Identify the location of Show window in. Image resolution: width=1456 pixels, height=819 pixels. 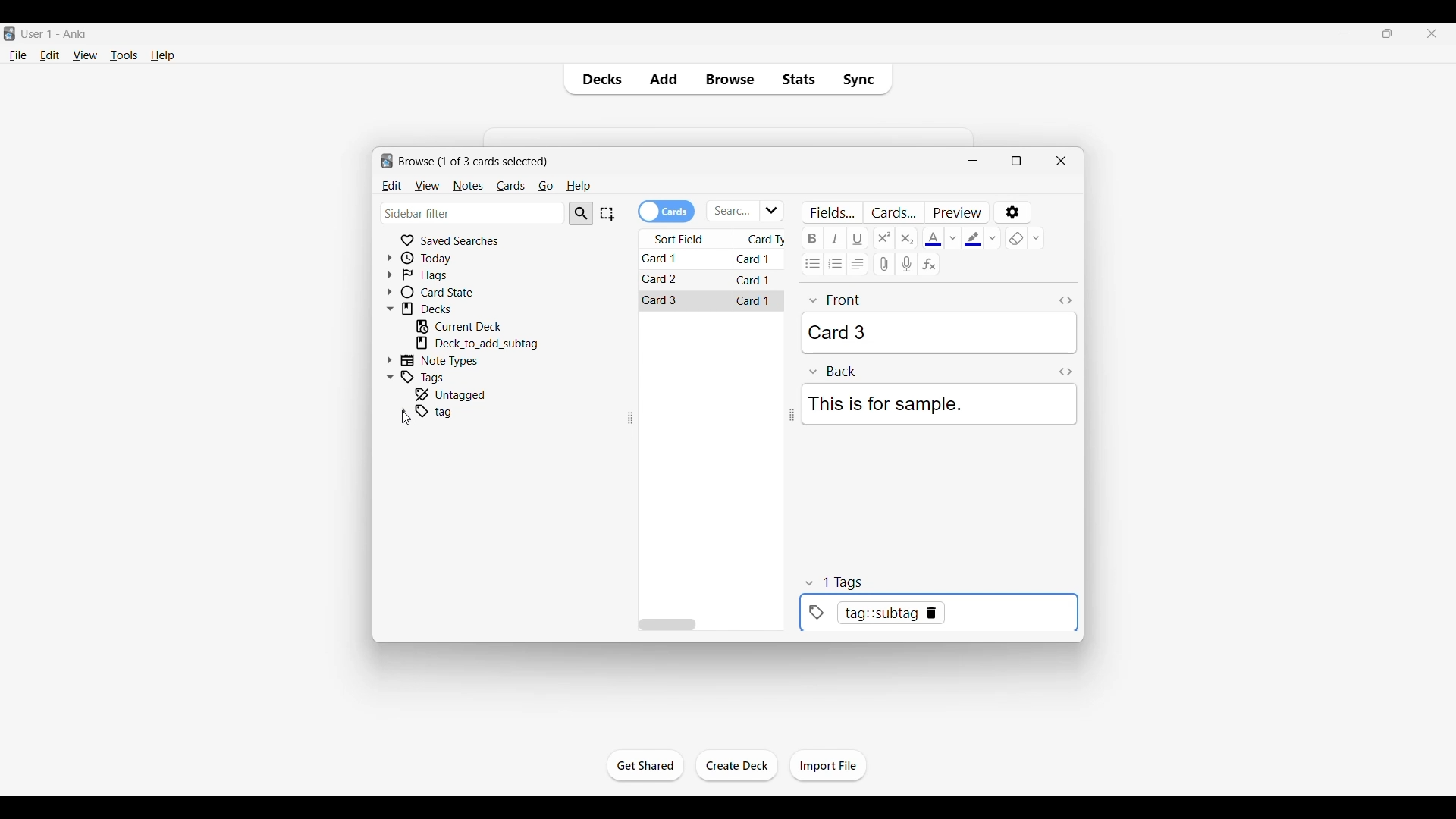
(1017, 161).